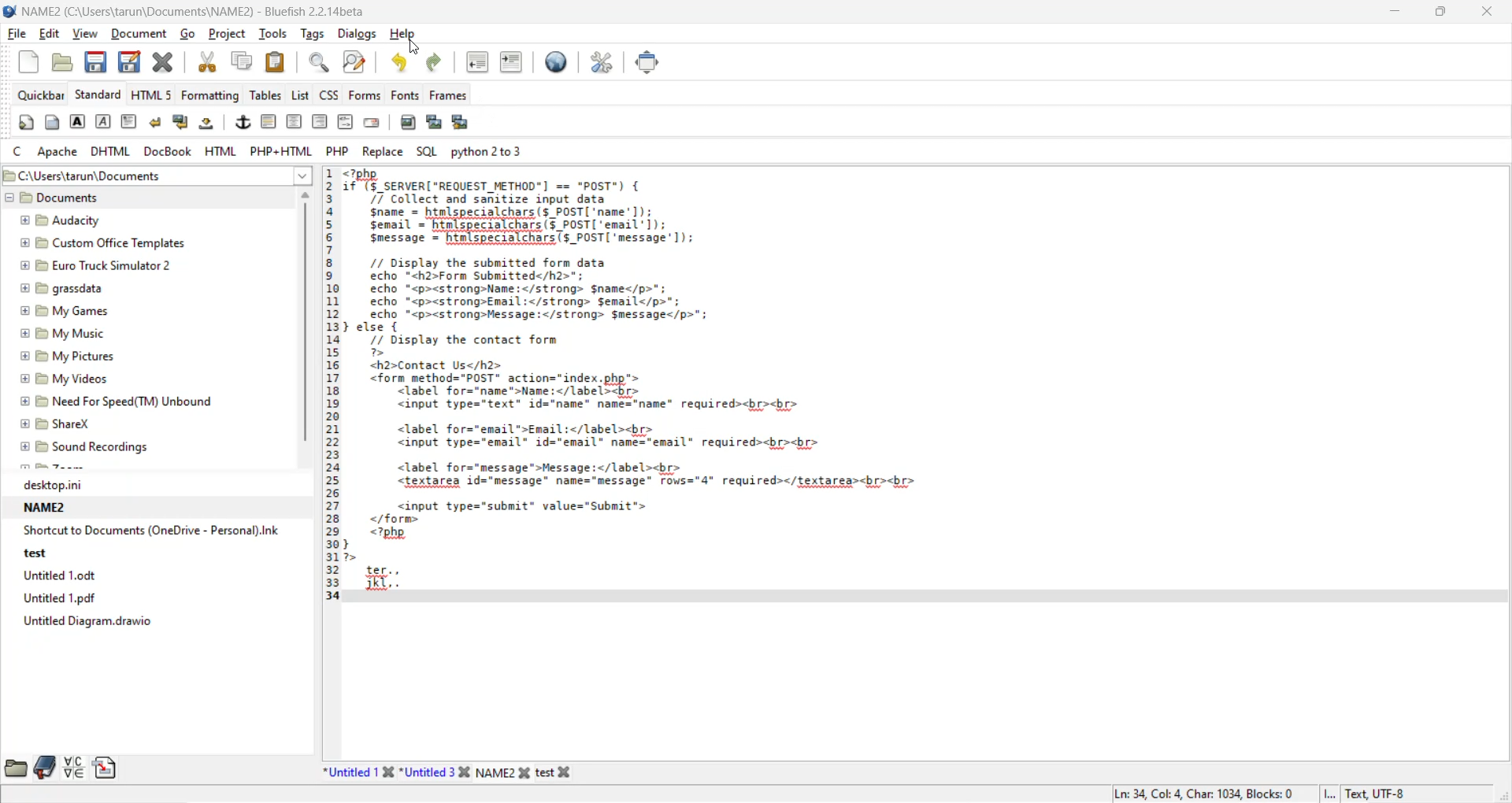  Describe the element at coordinates (513, 61) in the screenshot. I see `indent` at that location.